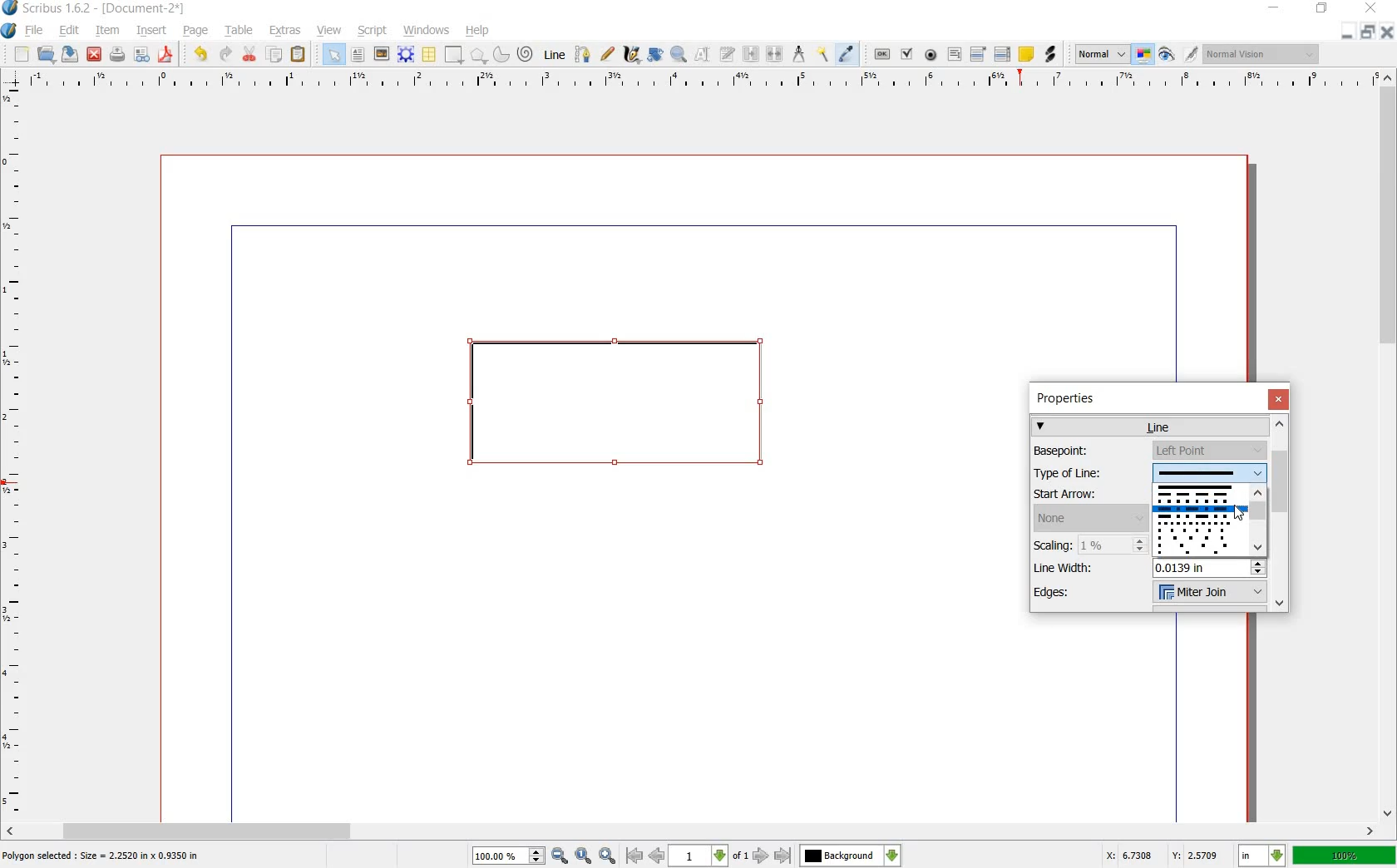 The image size is (1397, 868). What do you see at coordinates (1114, 545) in the screenshot?
I see `1%` at bounding box center [1114, 545].